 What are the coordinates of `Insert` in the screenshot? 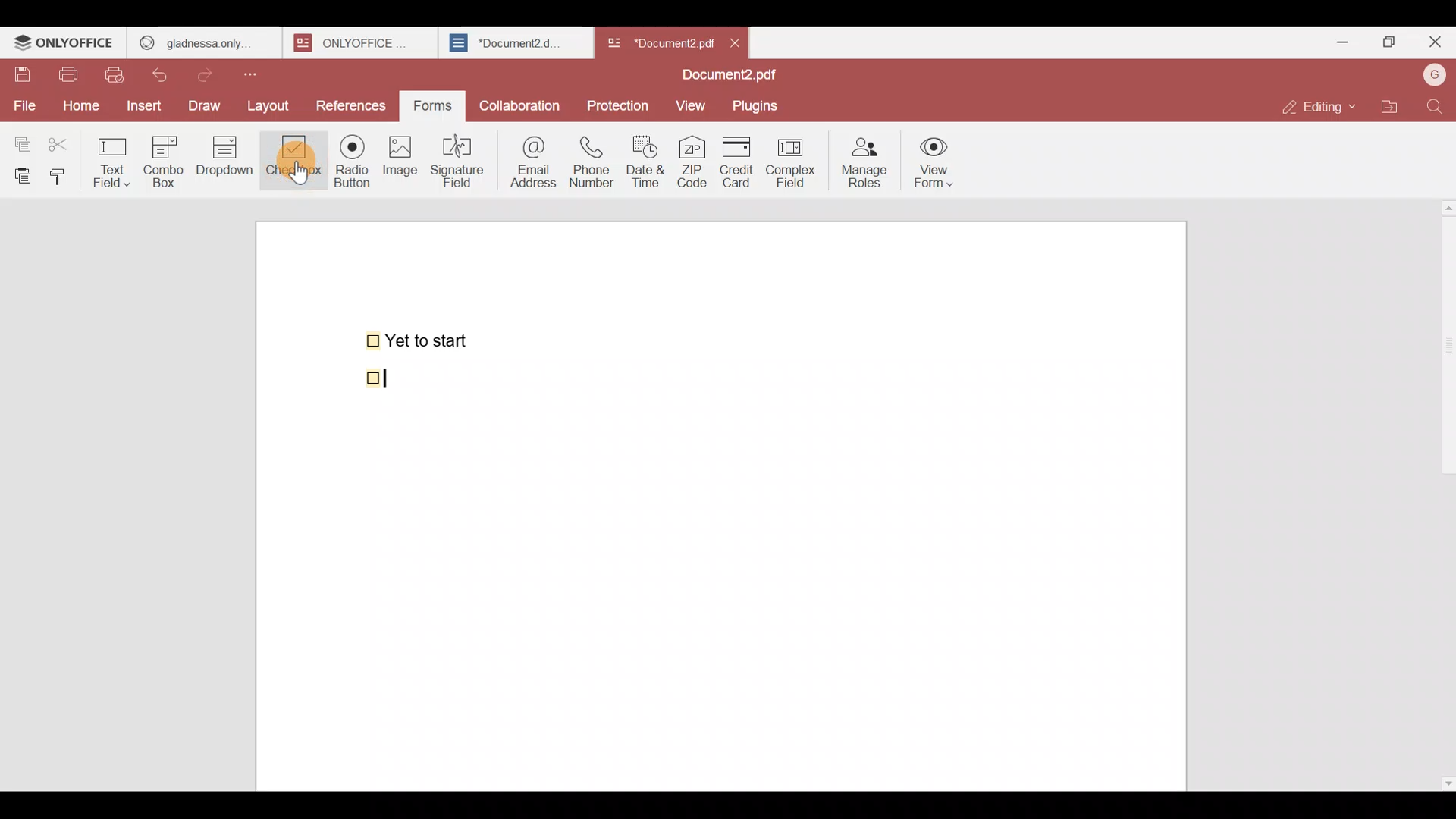 It's located at (142, 105).